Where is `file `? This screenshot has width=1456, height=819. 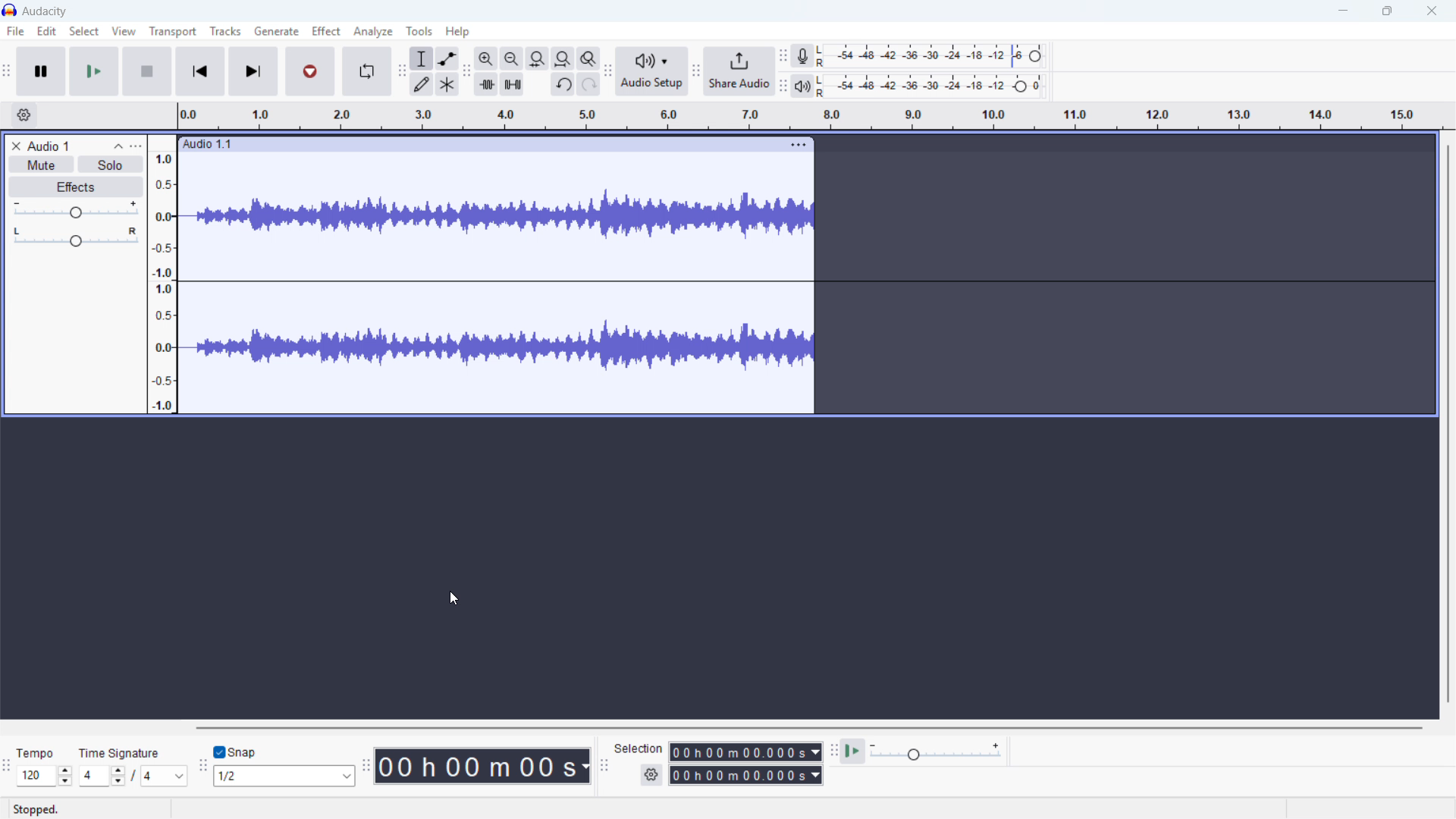
file  is located at coordinates (15, 33).